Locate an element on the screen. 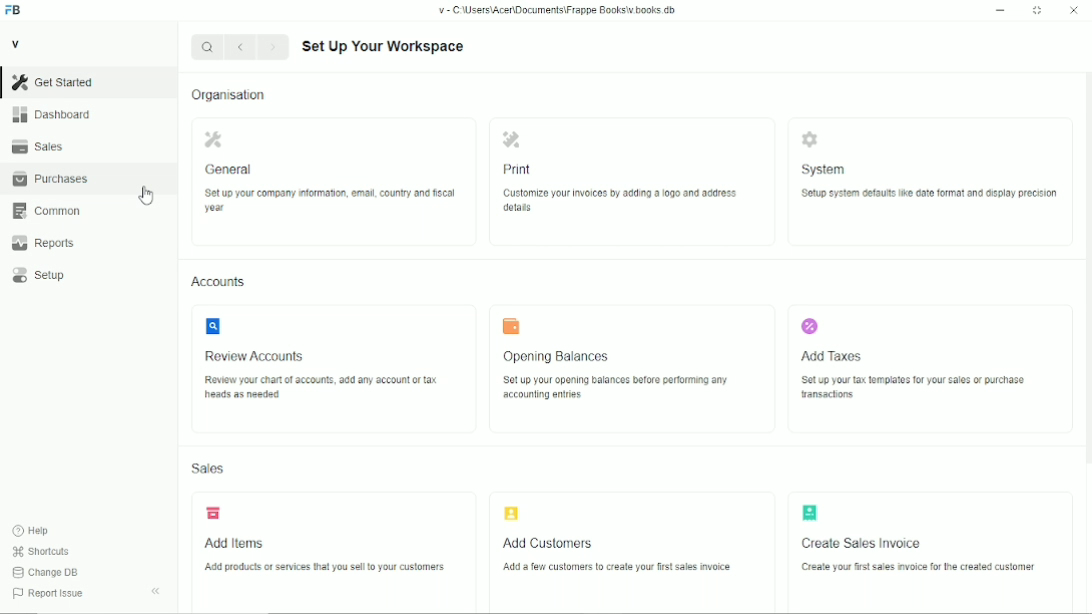 Image resolution: width=1092 pixels, height=614 pixels.  Setup system defaults like date format and display precision is located at coordinates (929, 203).